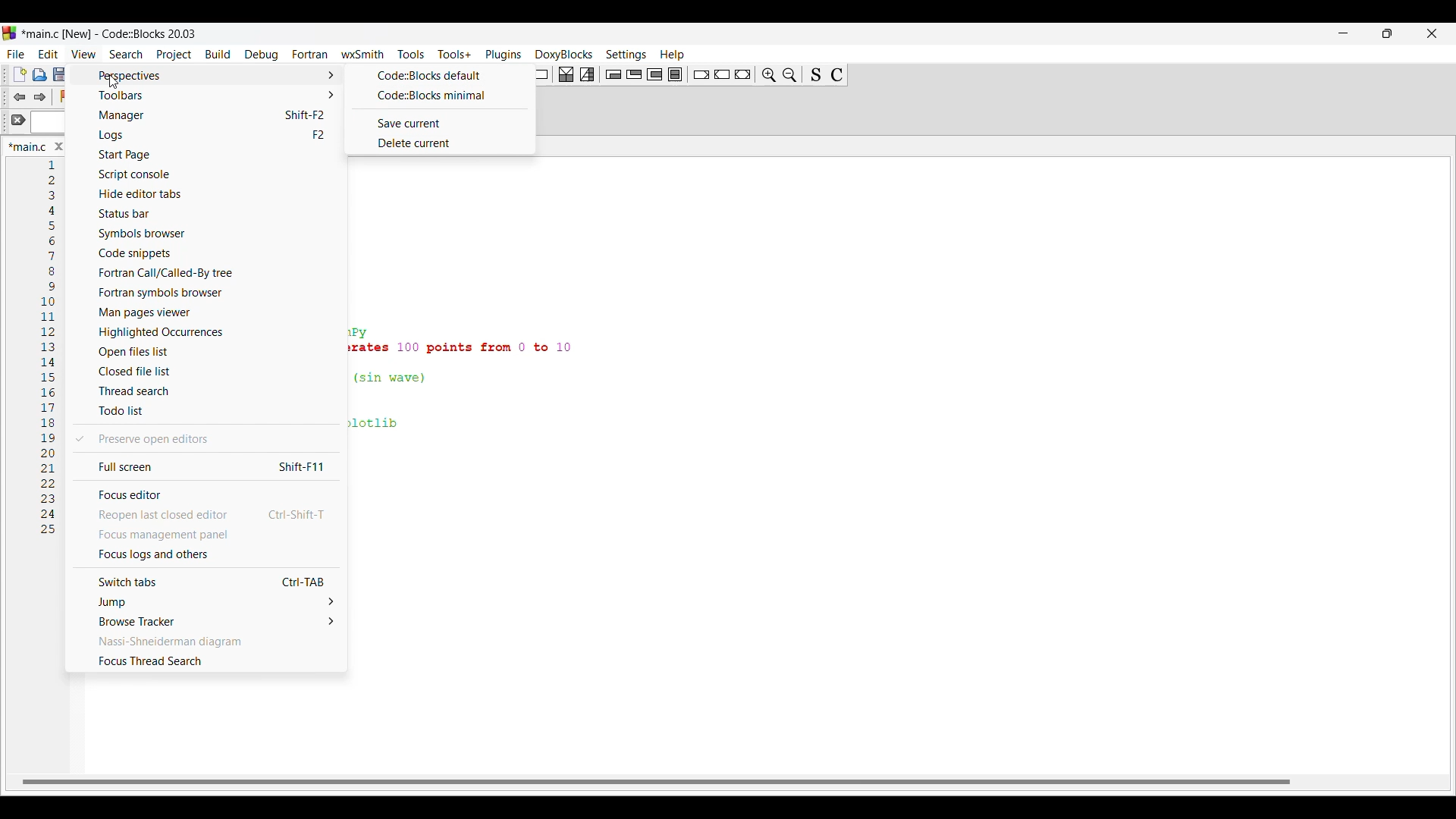 This screenshot has width=1456, height=819. I want to click on Manager, so click(210, 116).